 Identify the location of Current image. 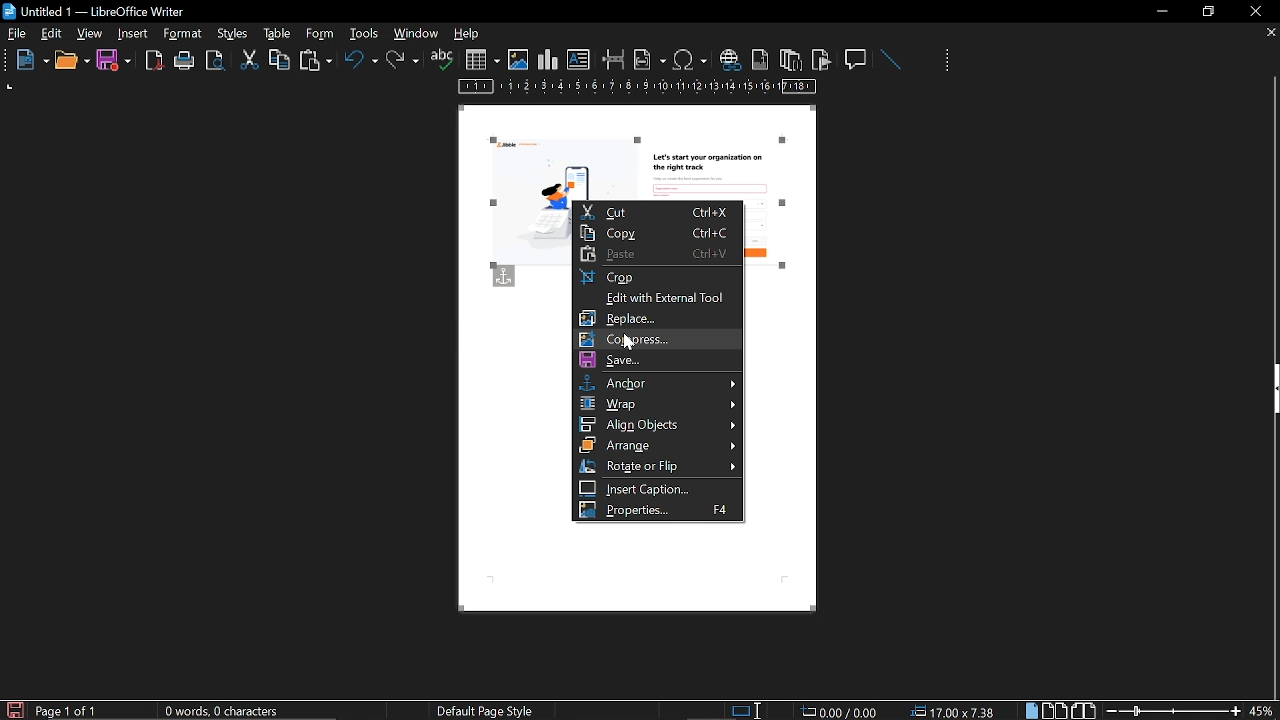
(636, 158).